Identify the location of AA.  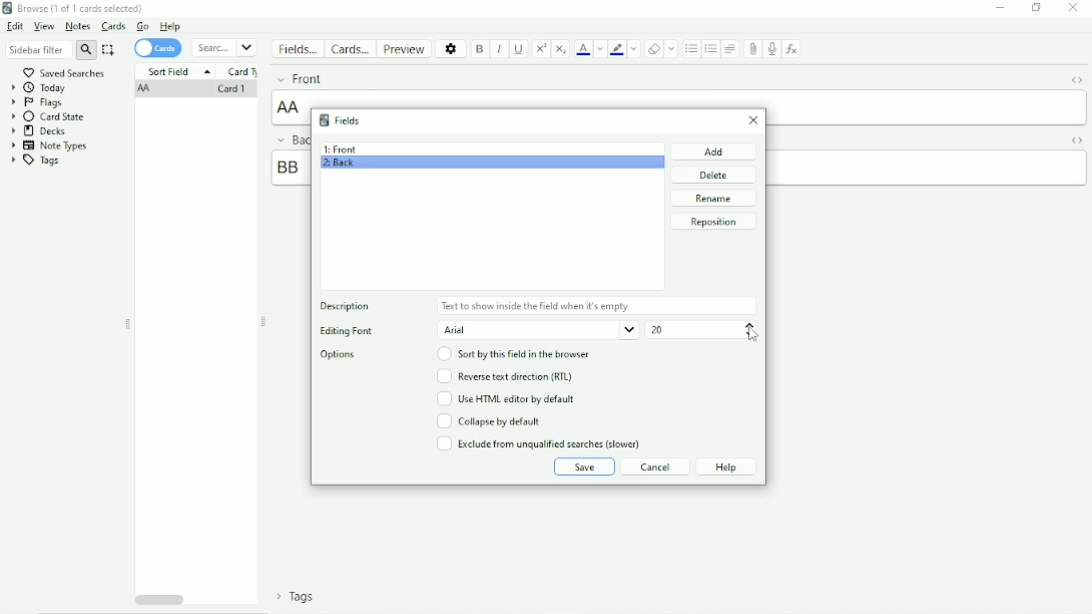
(146, 90).